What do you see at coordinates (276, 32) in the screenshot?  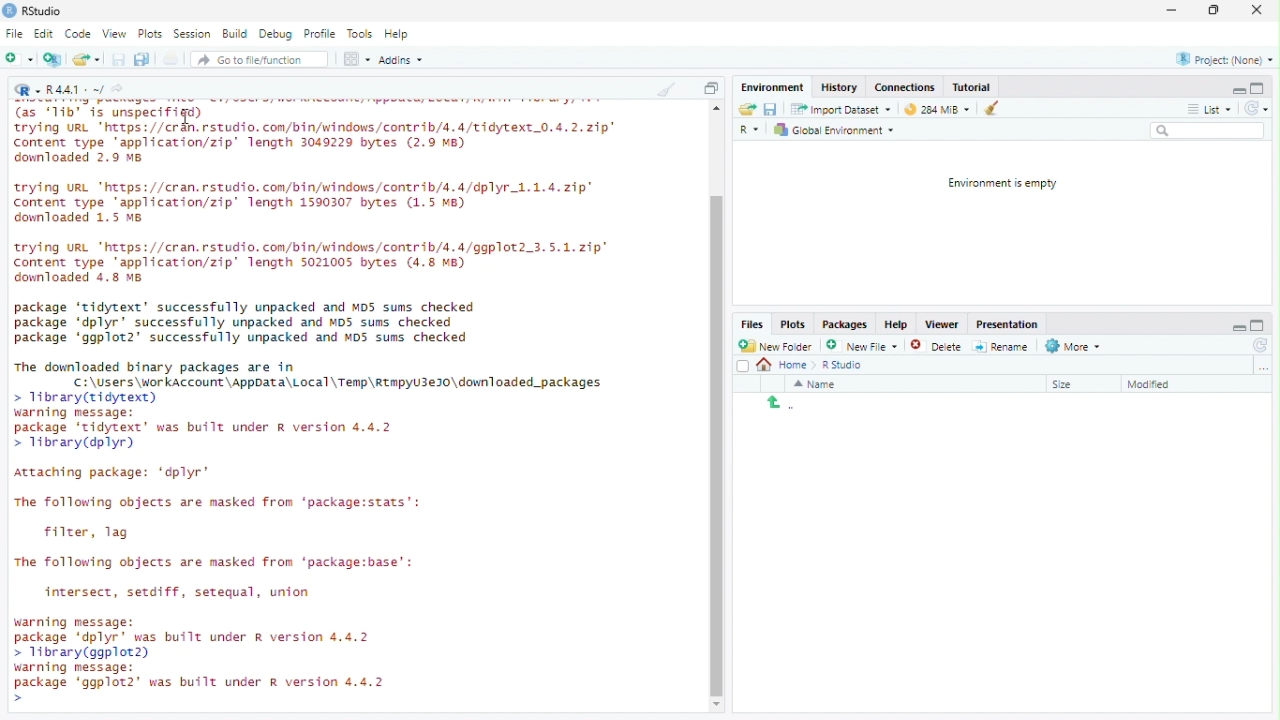 I see `Debug` at bounding box center [276, 32].